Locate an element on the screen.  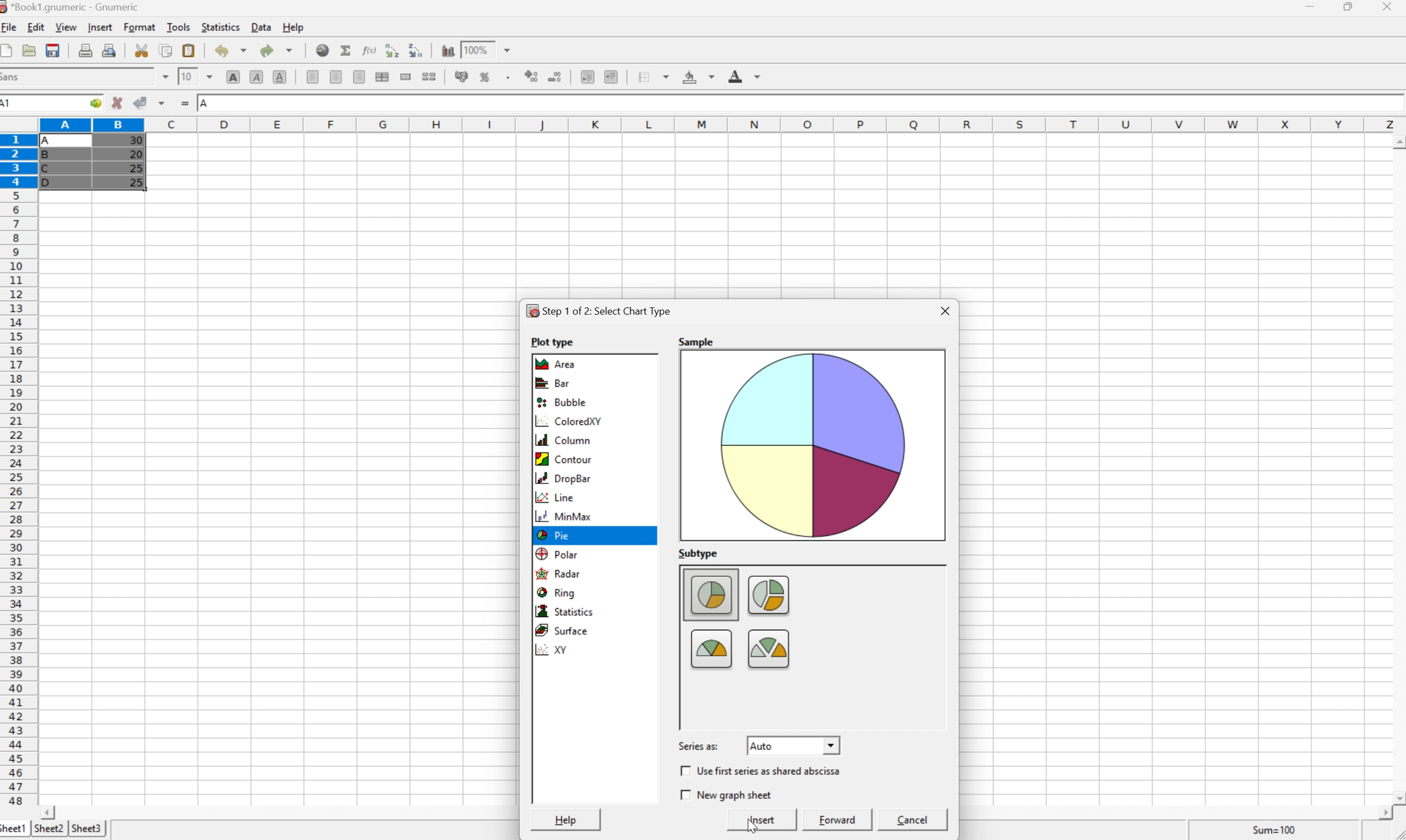
Sheet1 is located at coordinates (14, 830).